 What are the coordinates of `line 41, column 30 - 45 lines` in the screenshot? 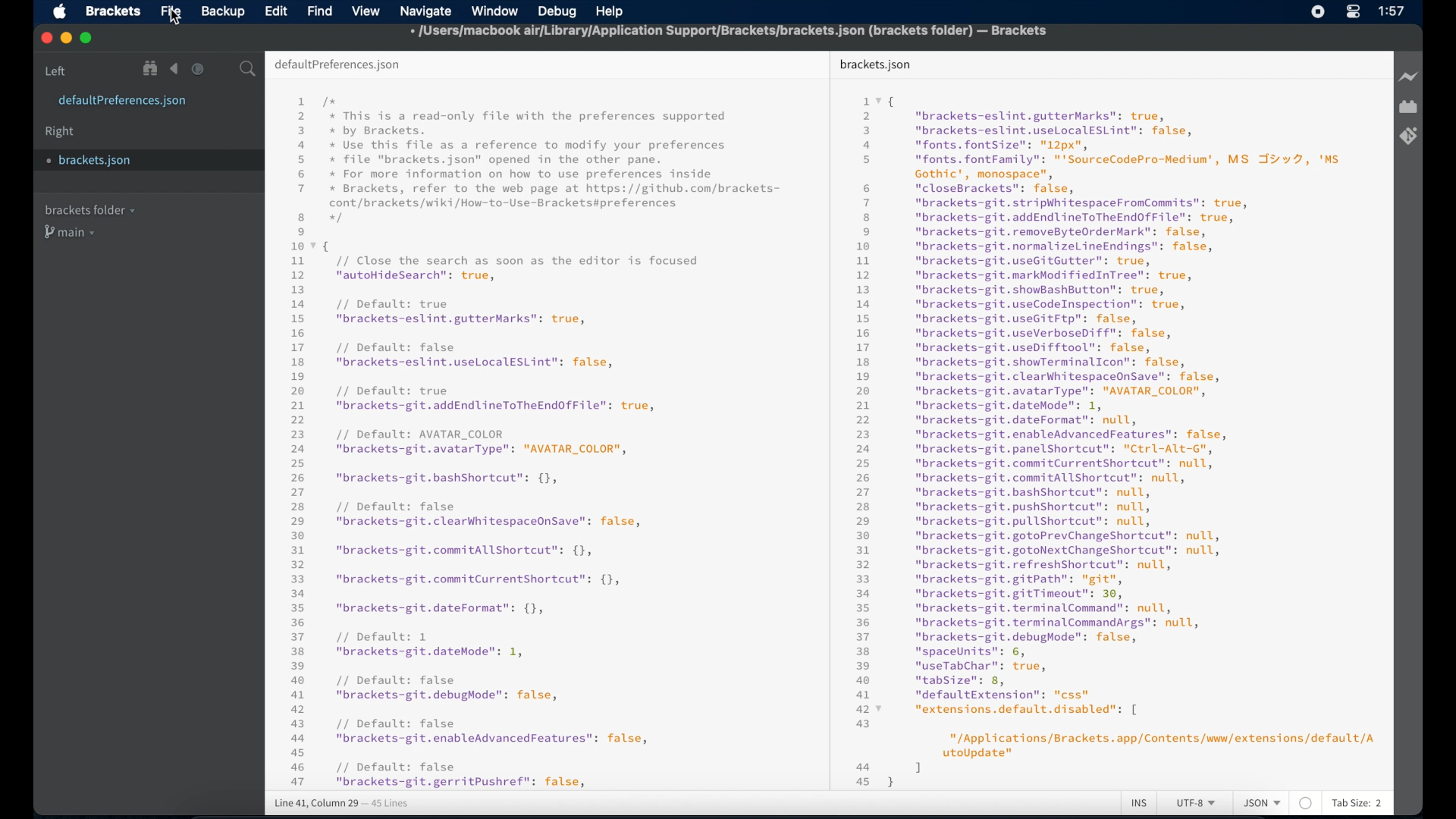 It's located at (341, 805).